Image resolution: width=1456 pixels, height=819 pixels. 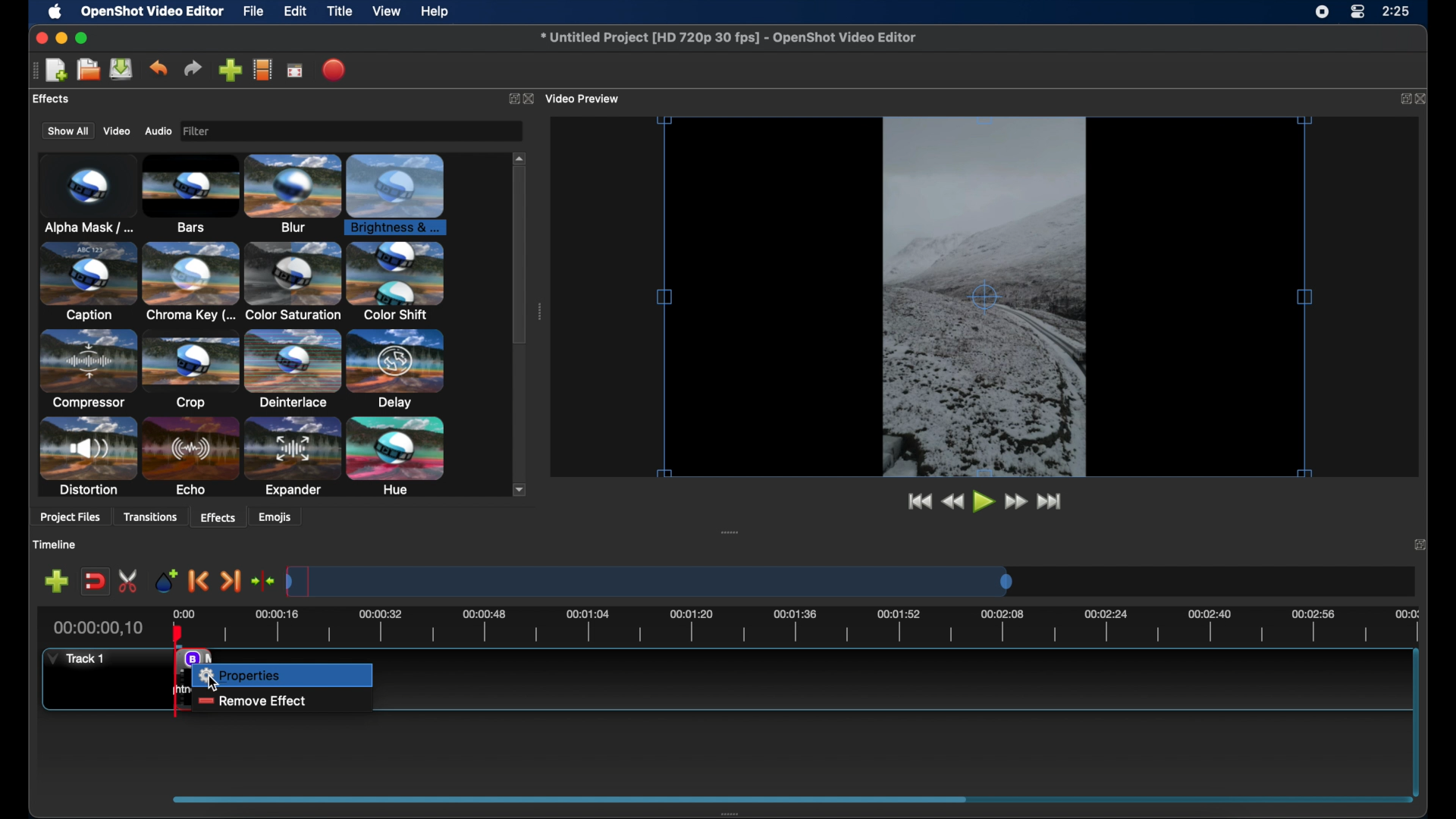 What do you see at coordinates (399, 193) in the screenshot?
I see `brightness and contrast highlighted` at bounding box center [399, 193].